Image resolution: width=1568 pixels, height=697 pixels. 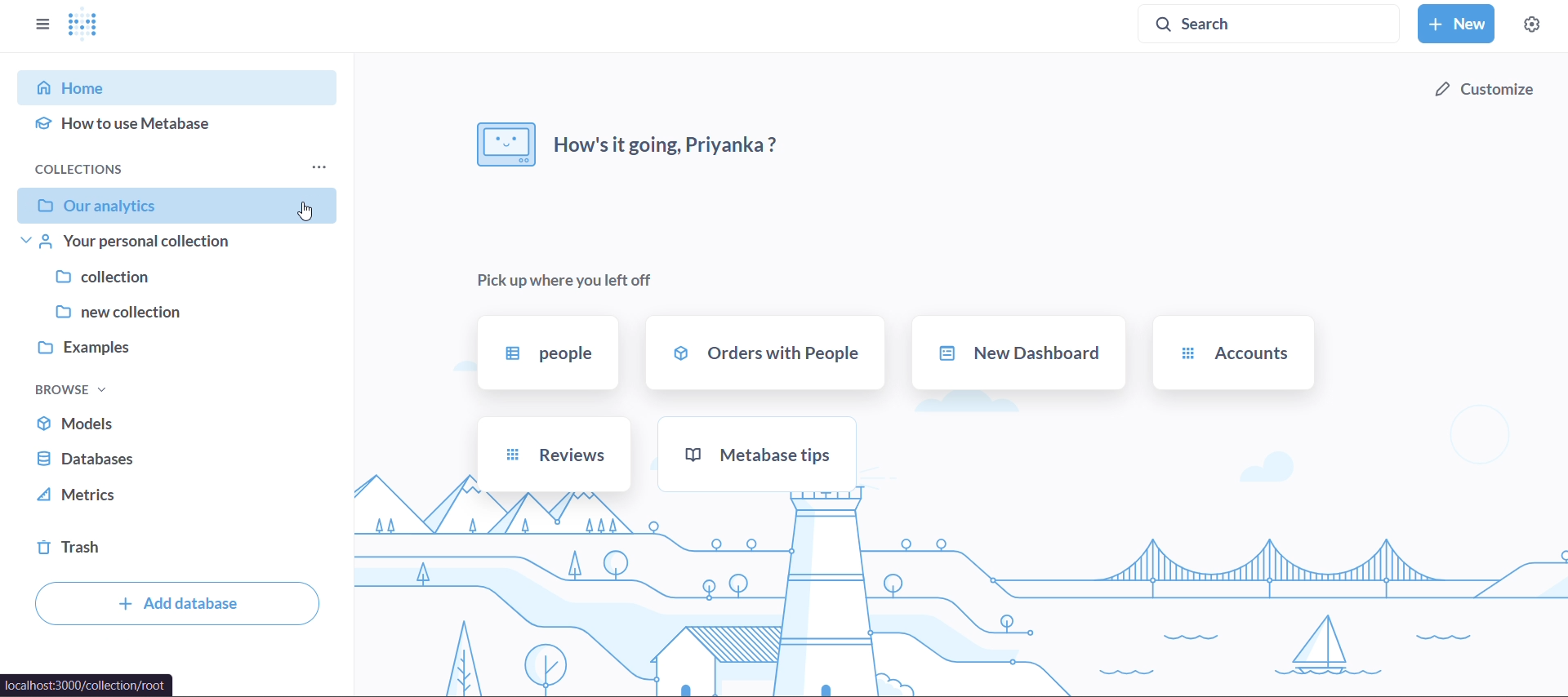 What do you see at coordinates (163, 459) in the screenshot?
I see `database` at bounding box center [163, 459].